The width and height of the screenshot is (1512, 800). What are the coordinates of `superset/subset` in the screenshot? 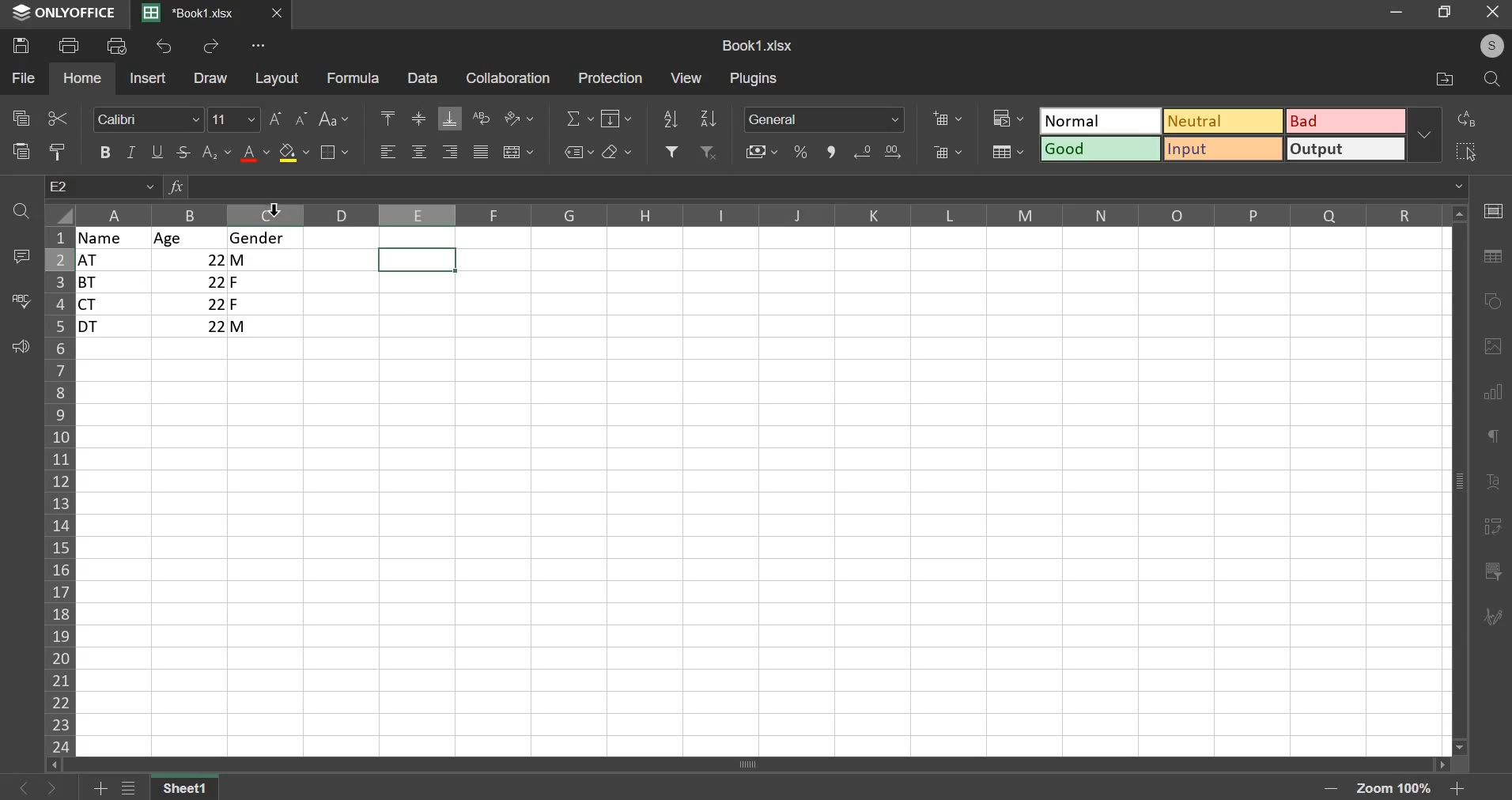 It's located at (217, 152).